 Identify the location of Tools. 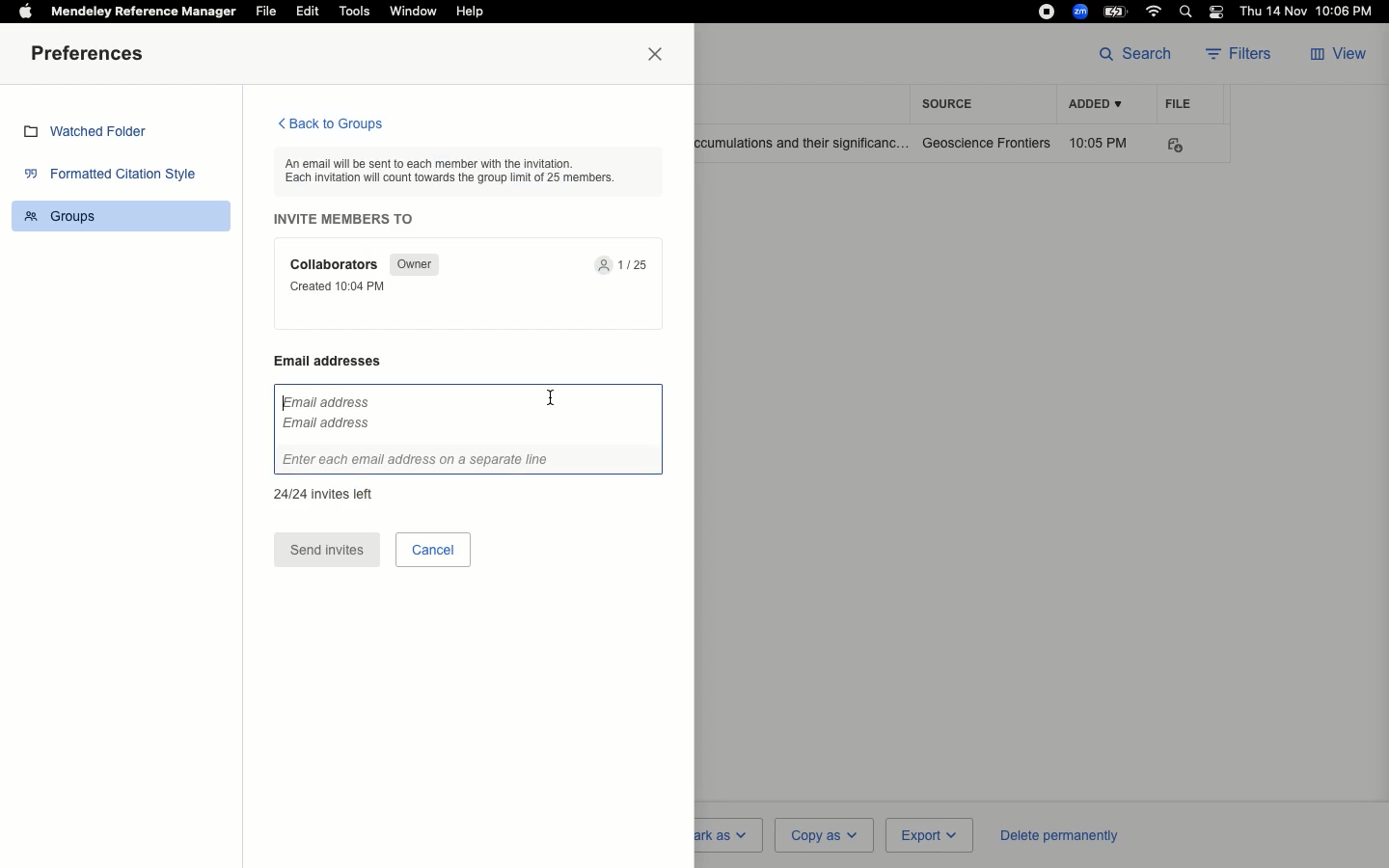
(355, 12).